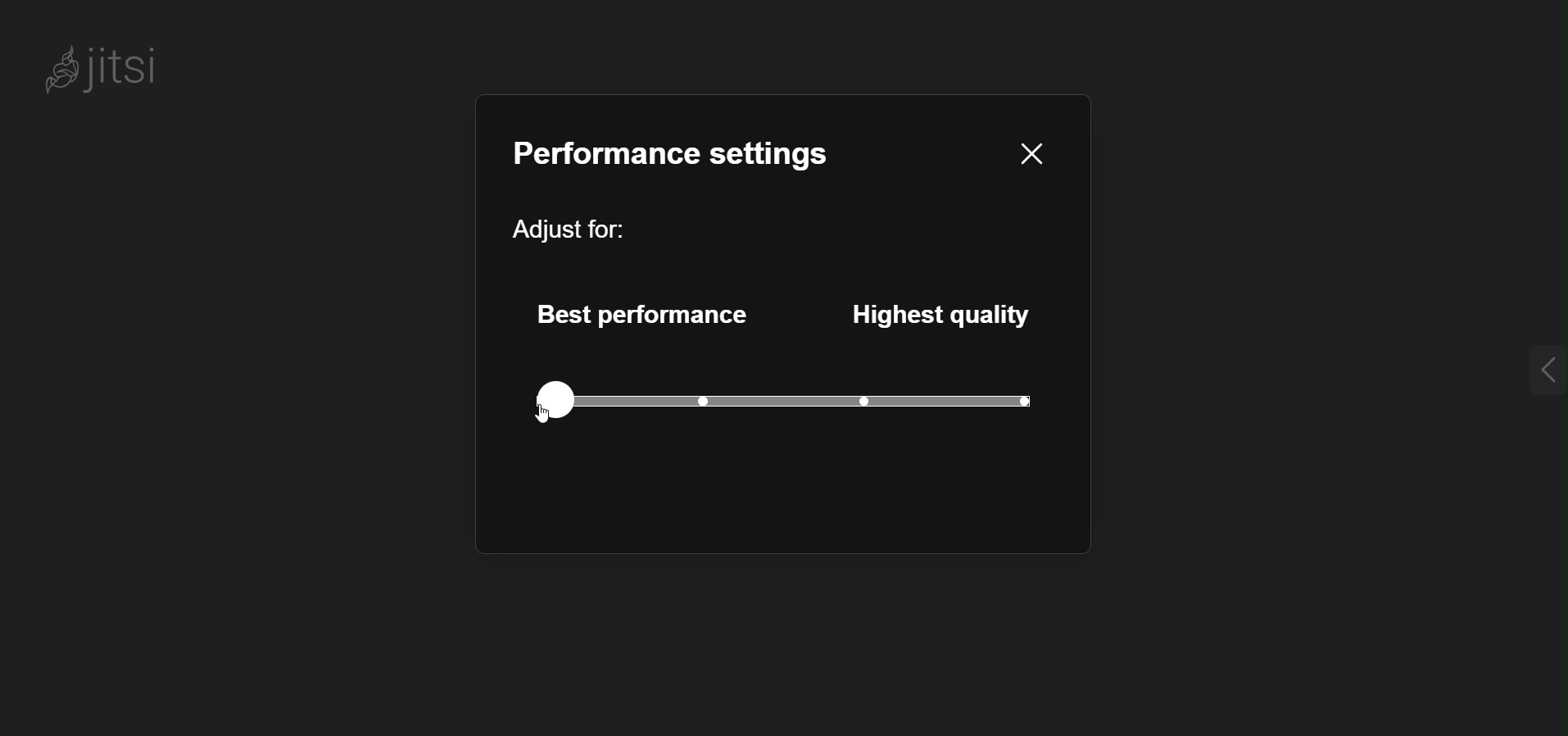 The width and height of the screenshot is (1568, 736). Describe the element at coordinates (641, 309) in the screenshot. I see `best performance` at that location.